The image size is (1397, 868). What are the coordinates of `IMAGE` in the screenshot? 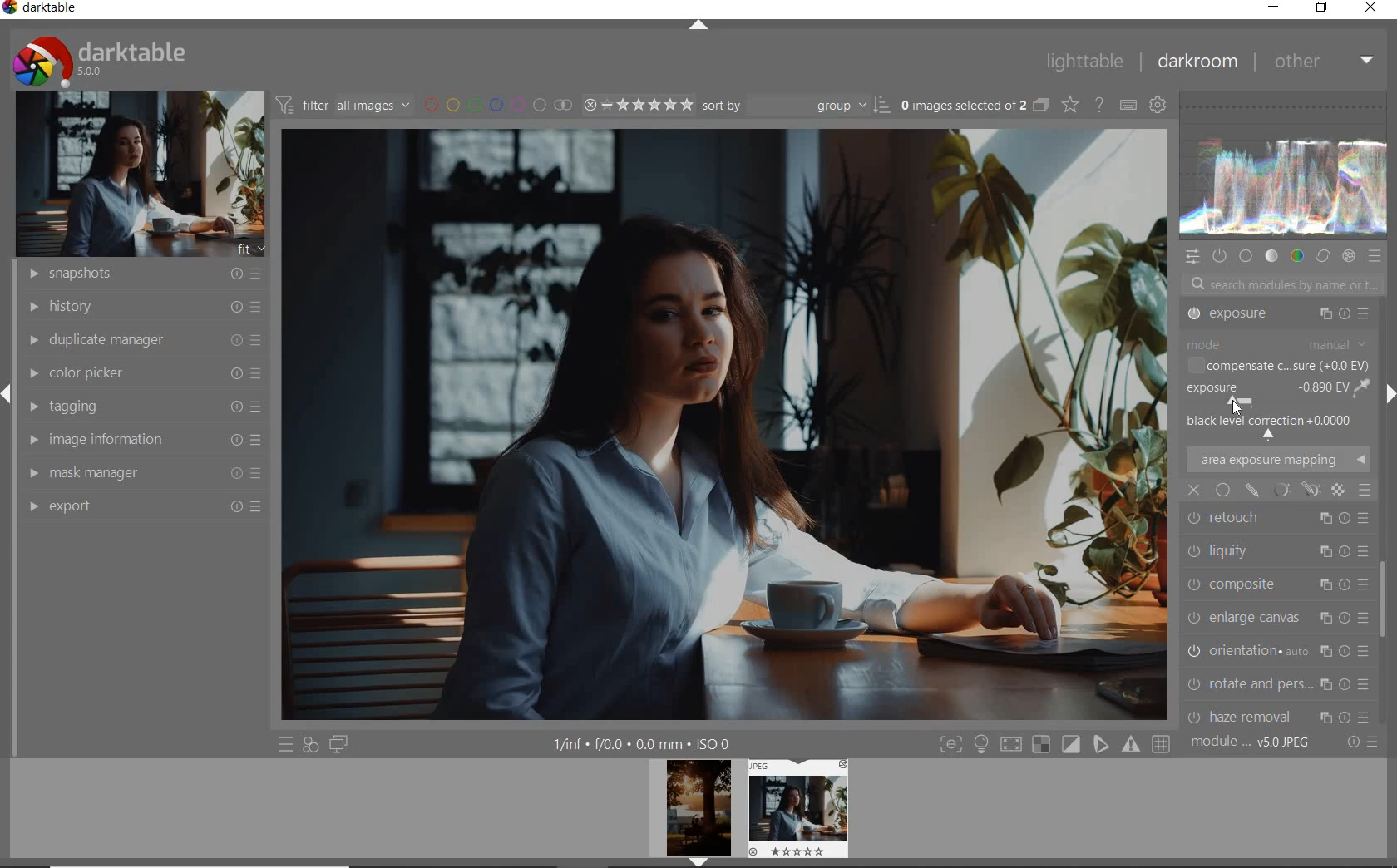 It's located at (136, 173).